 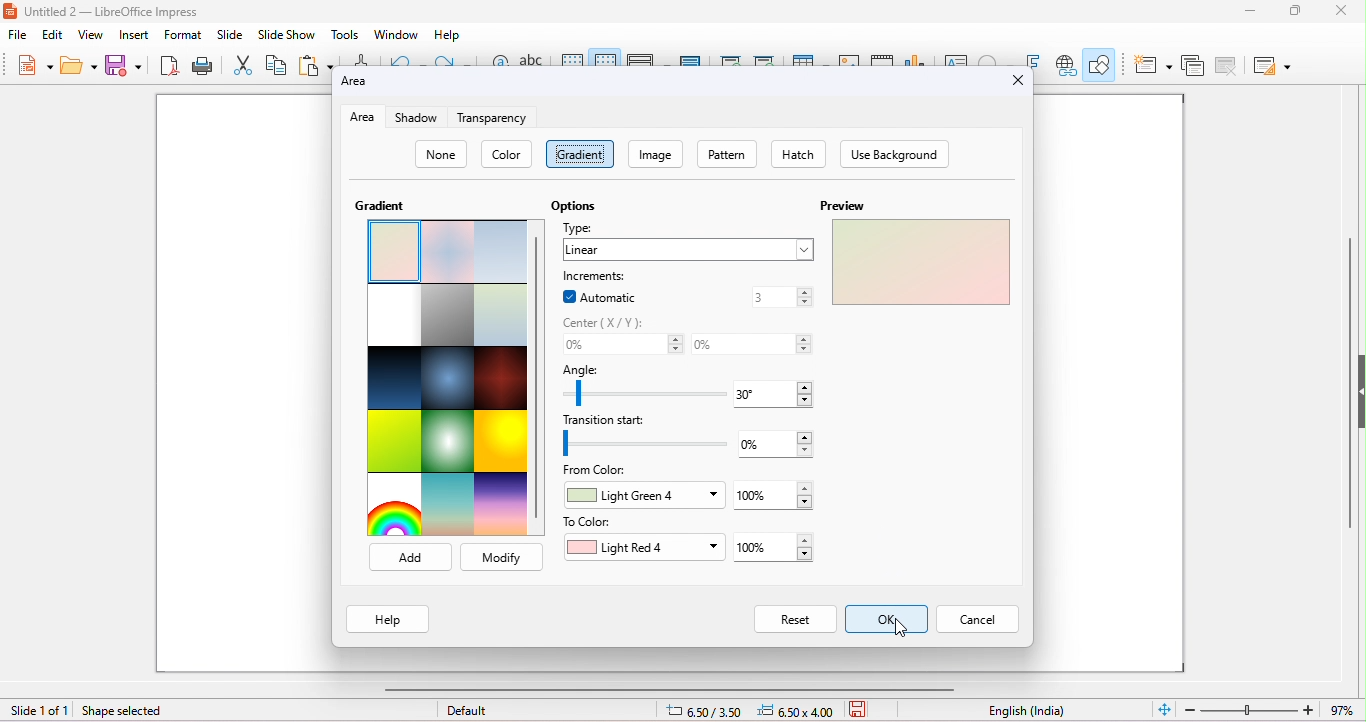 I want to click on preview gradient, so click(x=919, y=261).